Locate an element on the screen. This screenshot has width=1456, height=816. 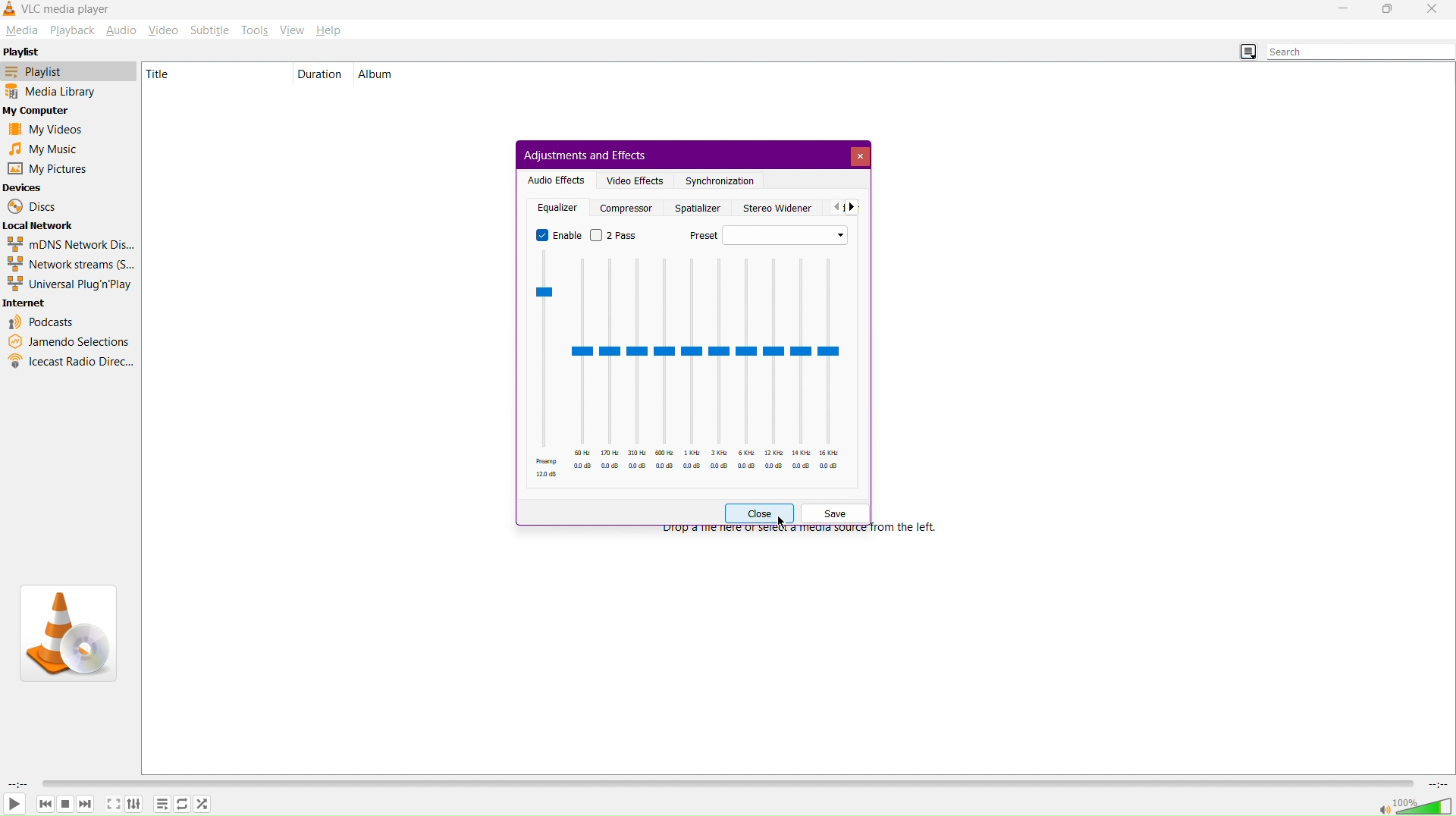
14 KHz is located at coordinates (800, 364).